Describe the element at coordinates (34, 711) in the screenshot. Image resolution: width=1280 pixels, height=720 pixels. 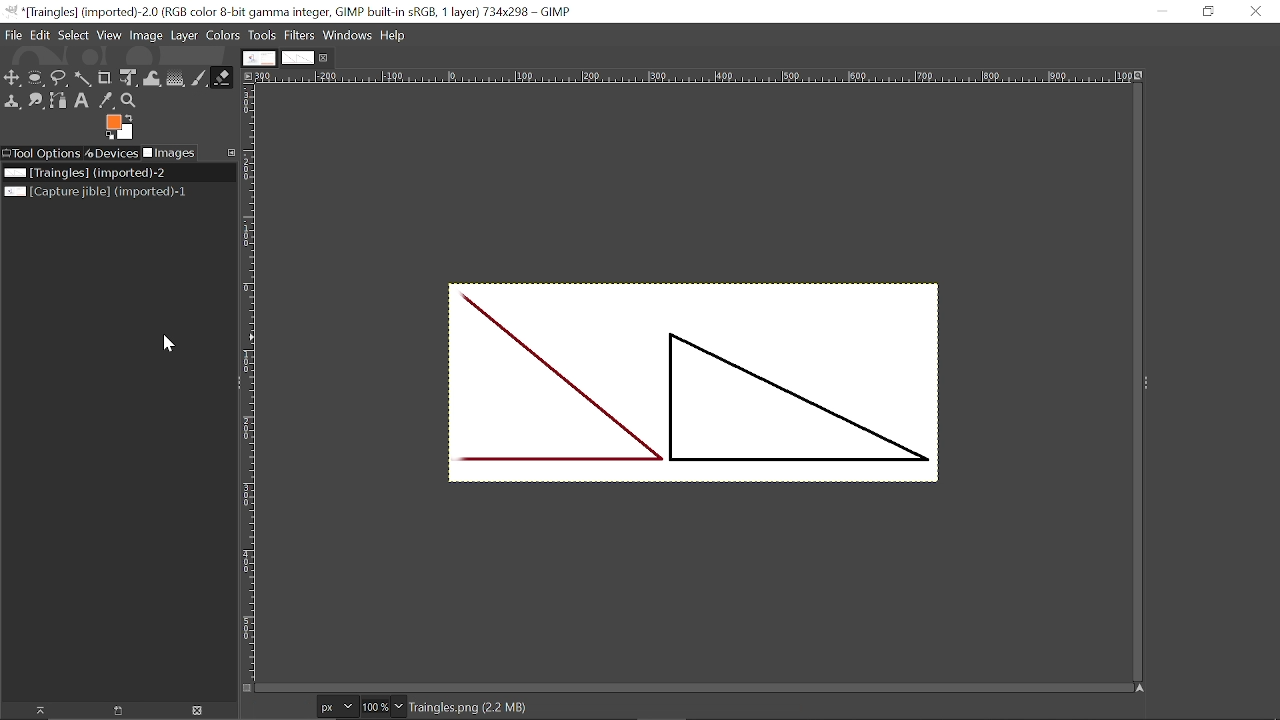
I see `Raise this image display` at that location.